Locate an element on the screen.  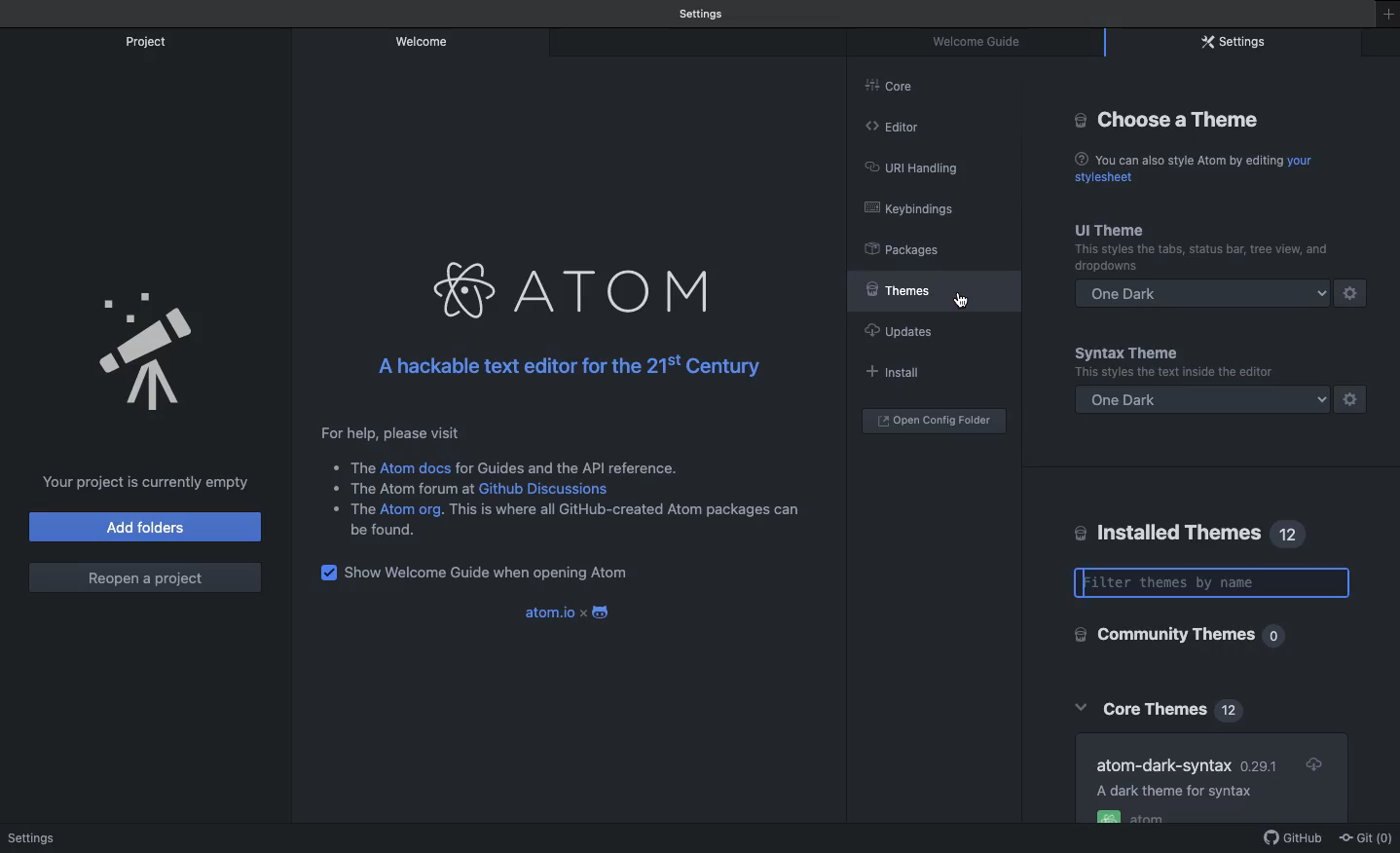
Core is located at coordinates (936, 83).